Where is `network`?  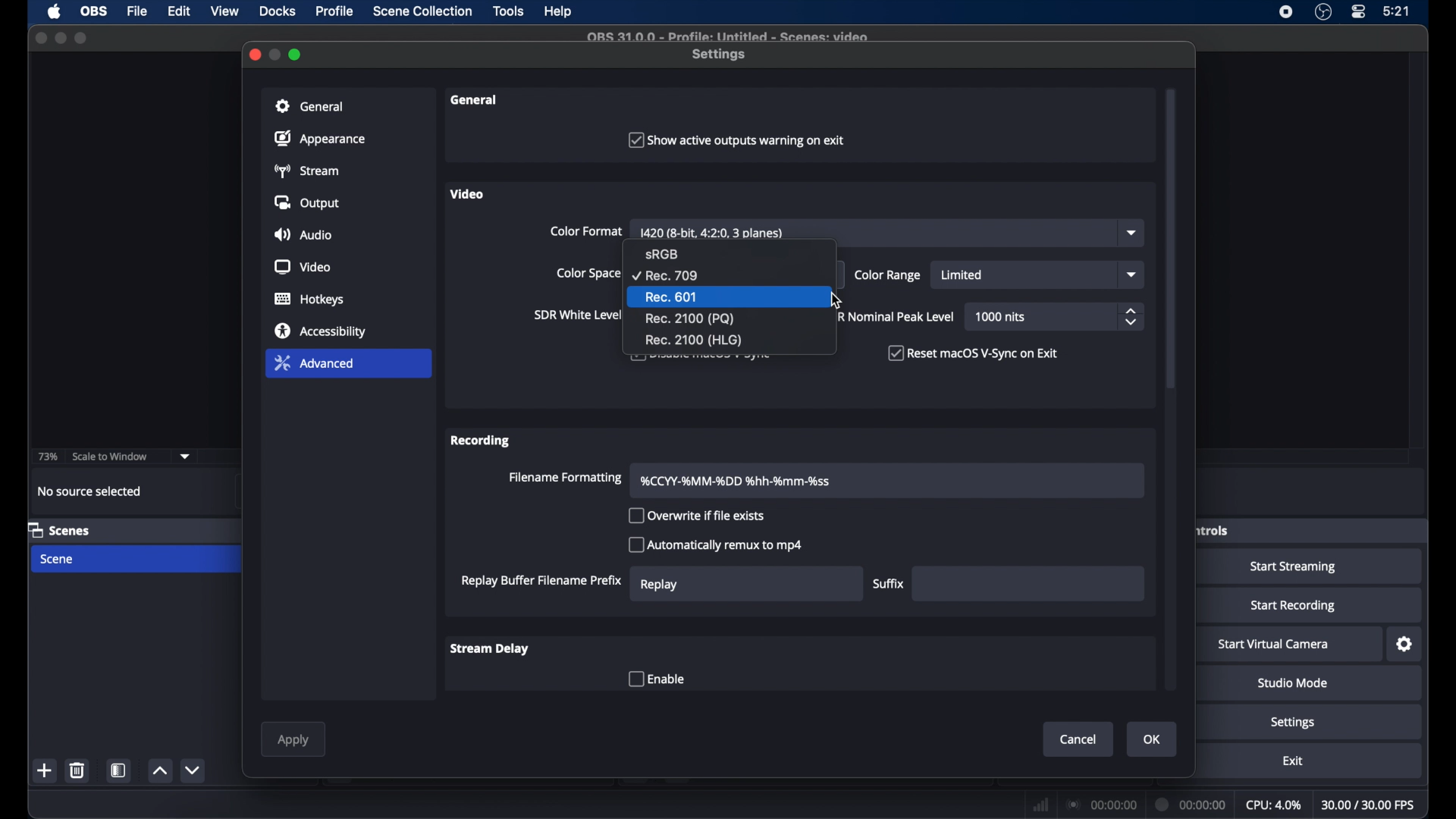
network is located at coordinates (1040, 804).